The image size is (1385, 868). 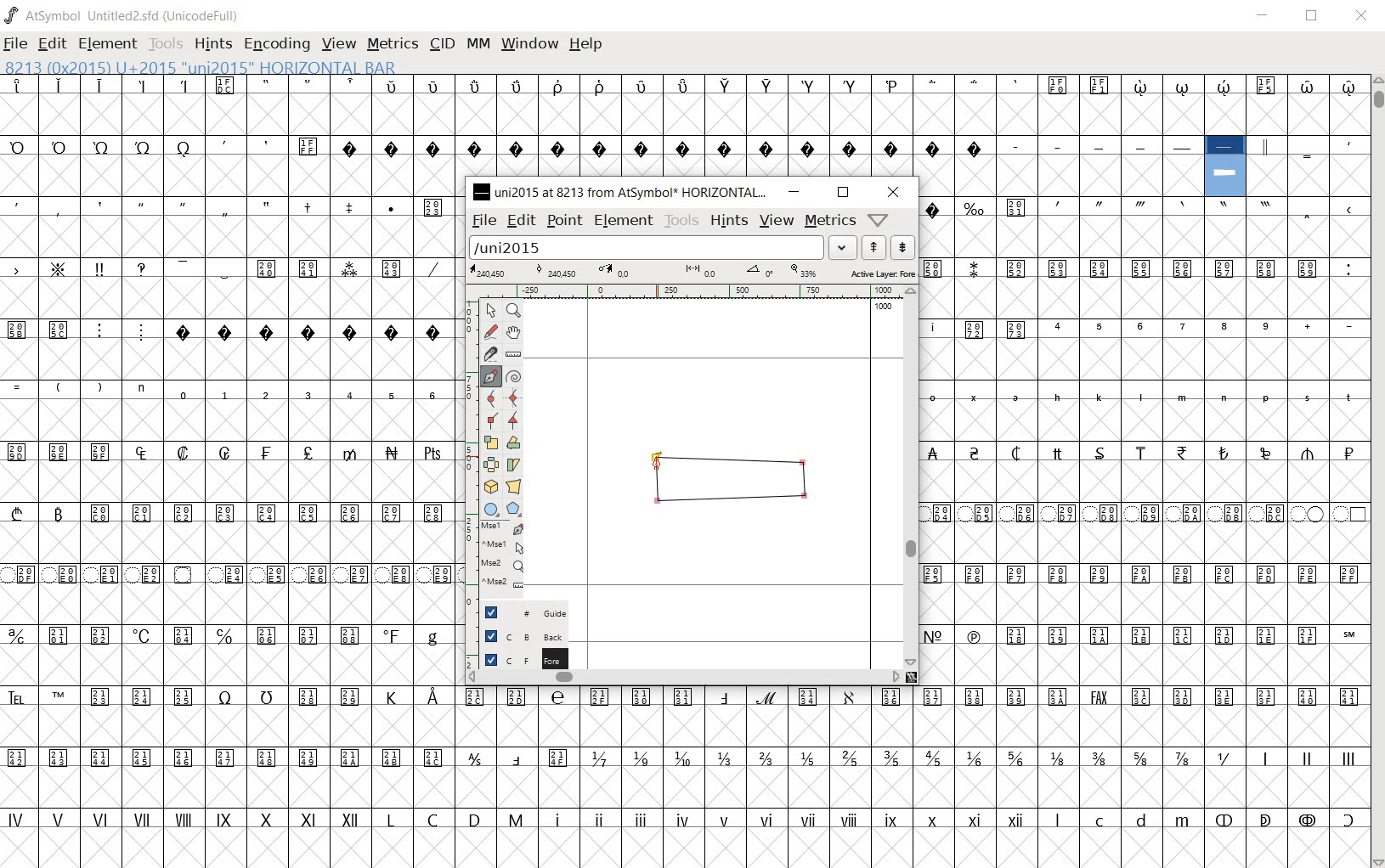 I want to click on VIEW, so click(x=339, y=45).